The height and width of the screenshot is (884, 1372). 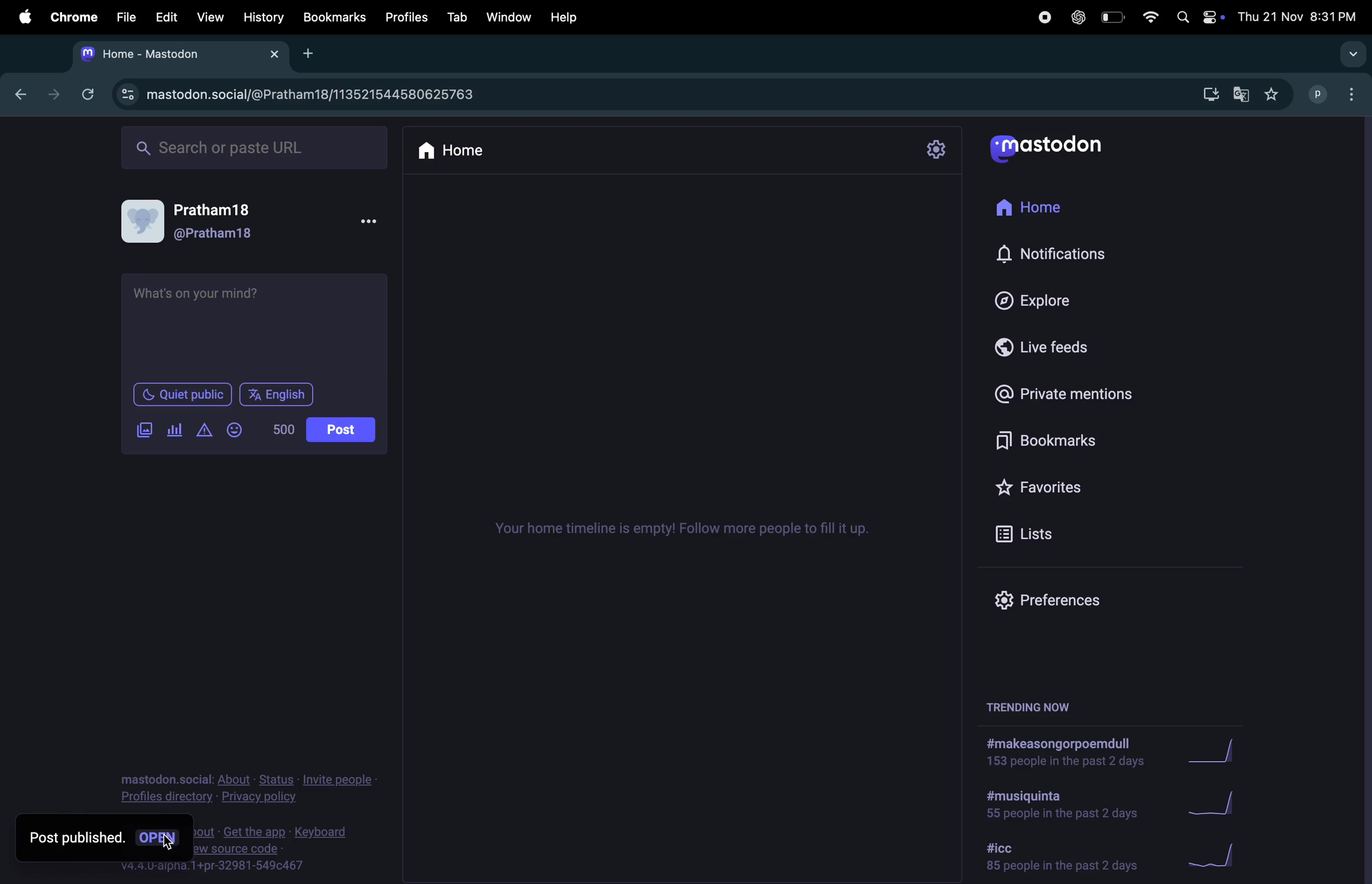 I want to click on translate, so click(x=1241, y=95).